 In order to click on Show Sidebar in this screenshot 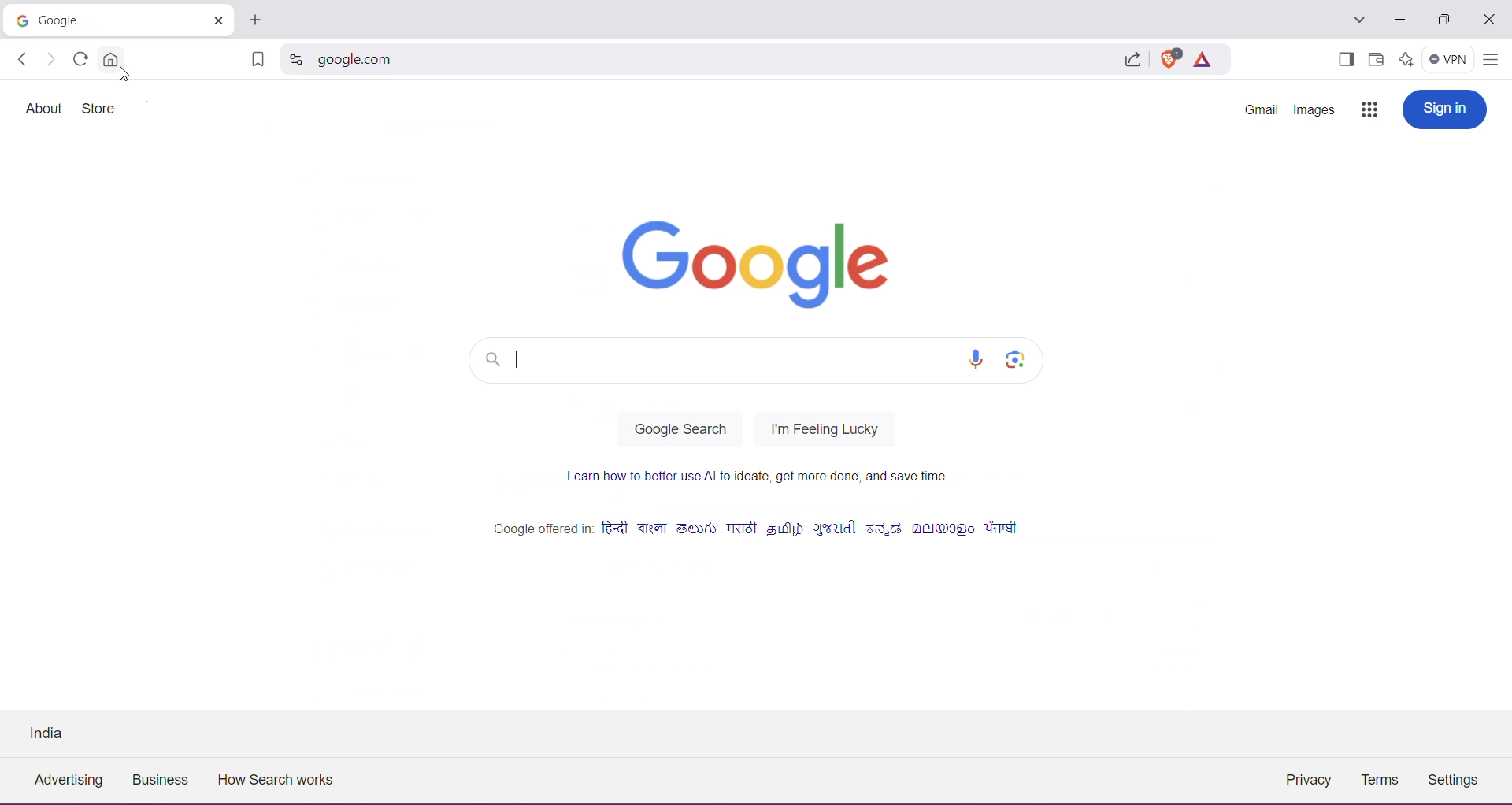, I will do `click(1344, 61)`.